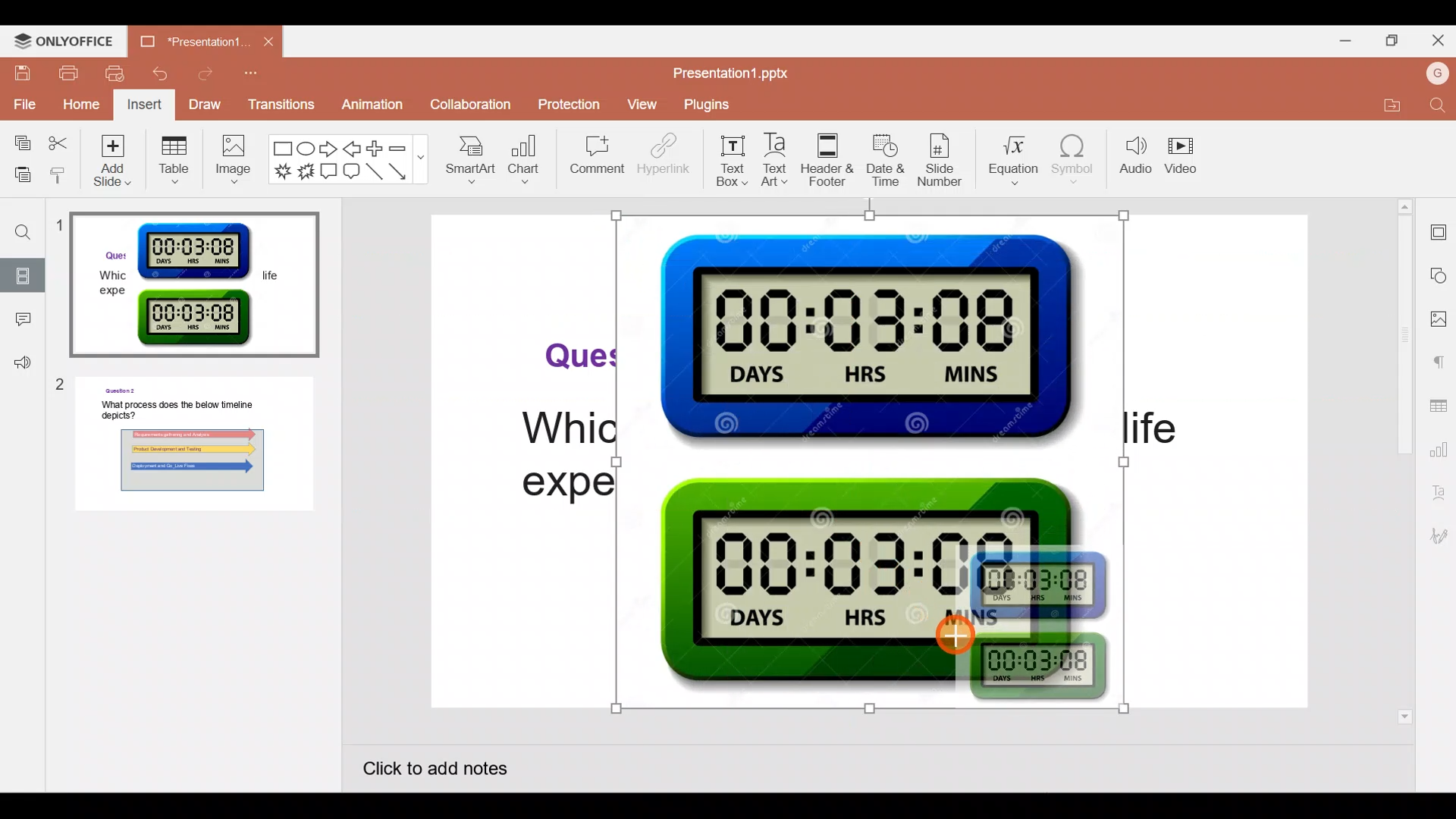 Image resolution: width=1456 pixels, height=819 pixels. What do you see at coordinates (17, 364) in the screenshot?
I see `Feedback & support` at bounding box center [17, 364].